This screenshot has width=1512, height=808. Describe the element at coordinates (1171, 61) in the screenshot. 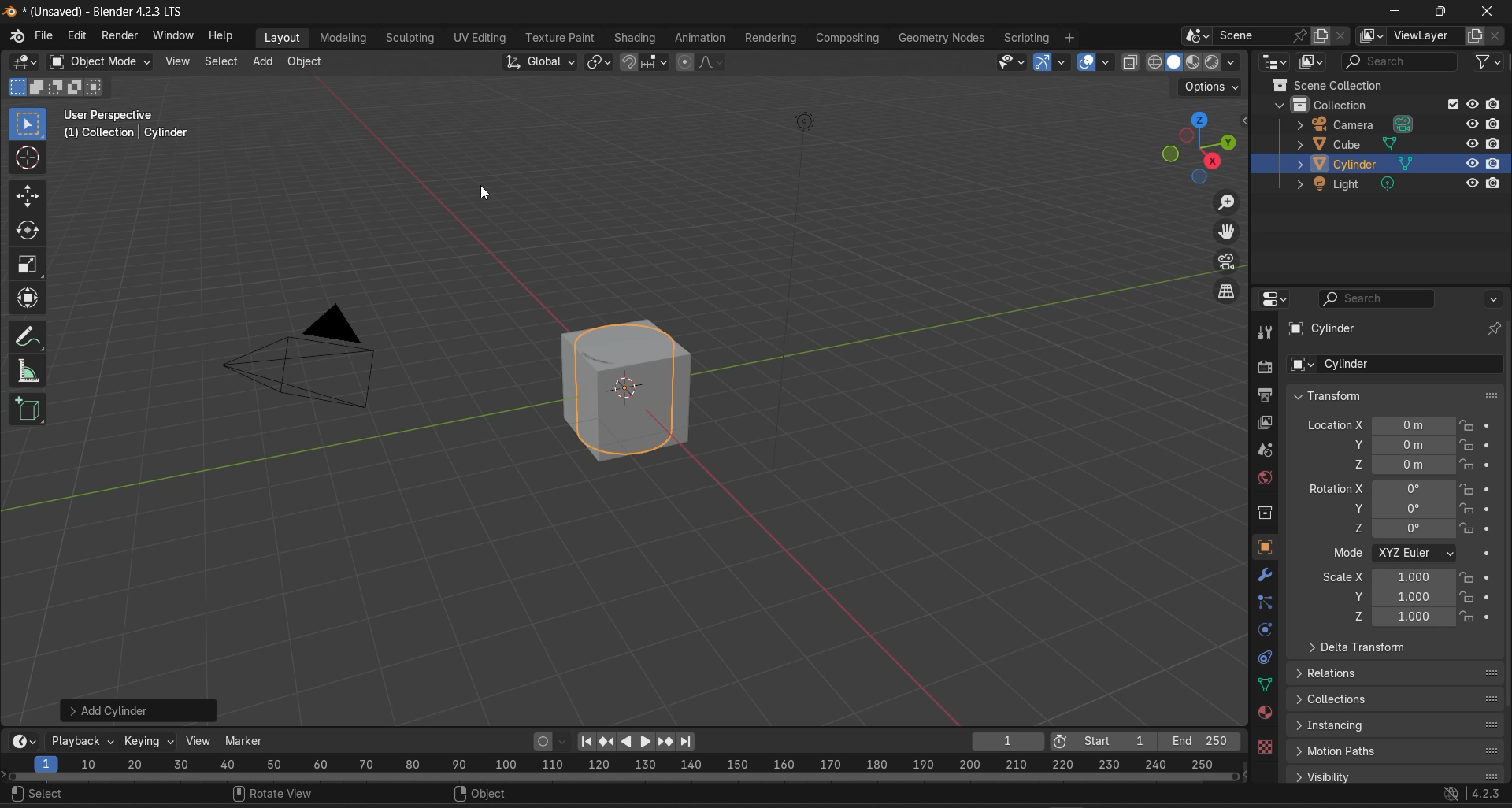

I see `viewport shading:solid` at that location.